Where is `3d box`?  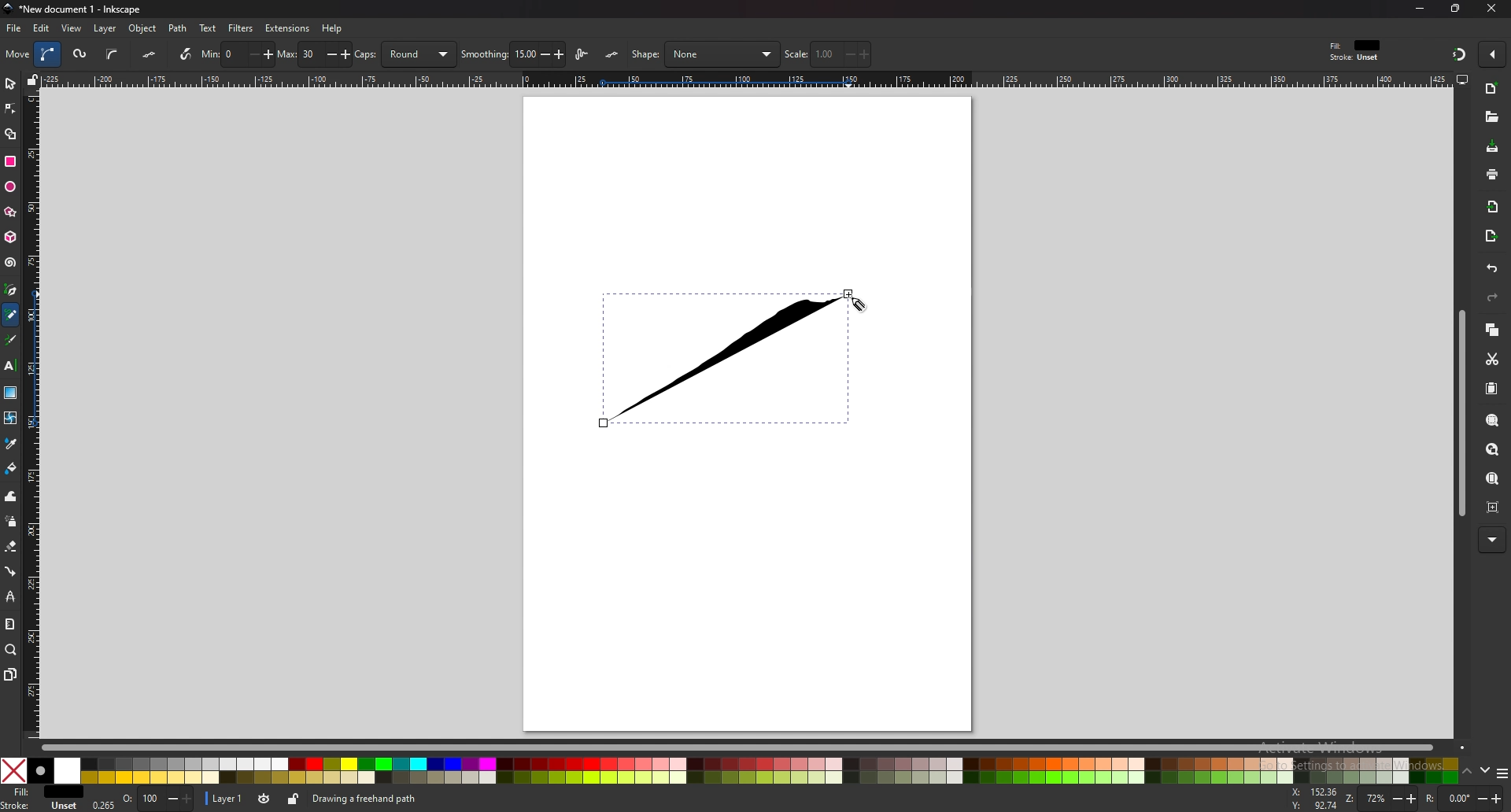
3d box is located at coordinates (10, 238).